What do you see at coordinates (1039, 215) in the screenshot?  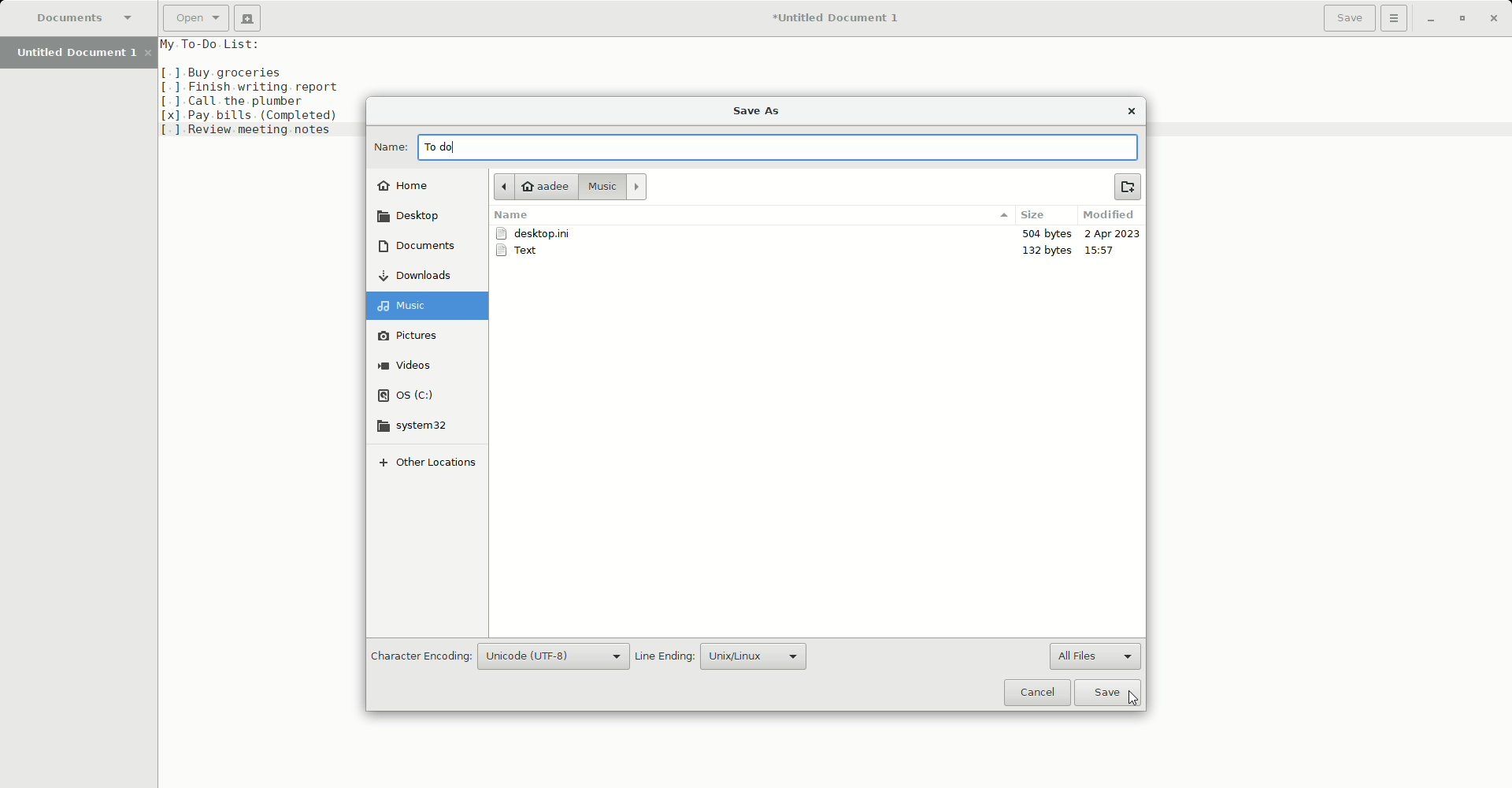 I see `Size` at bounding box center [1039, 215].